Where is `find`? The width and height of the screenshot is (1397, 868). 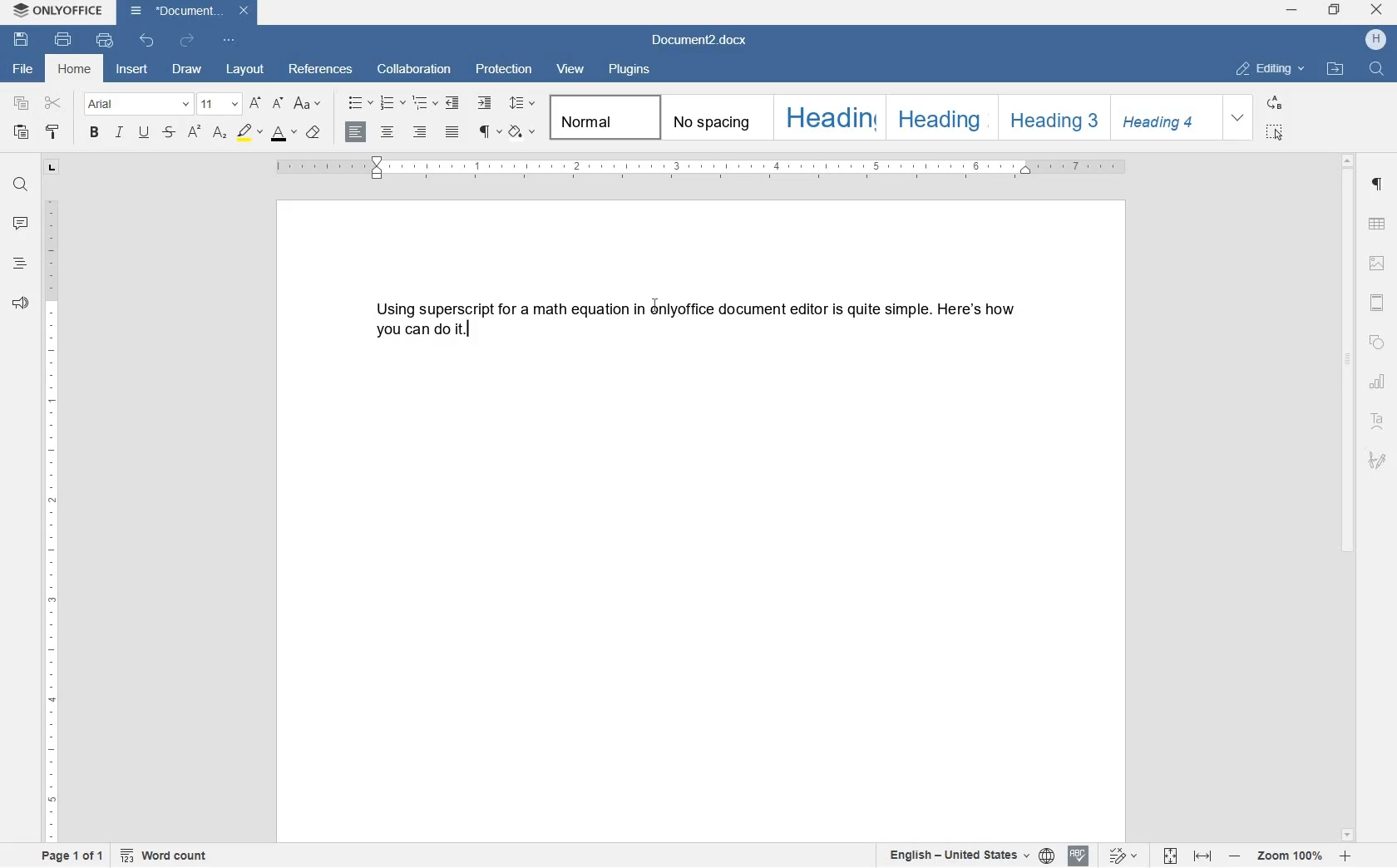 find is located at coordinates (20, 181).